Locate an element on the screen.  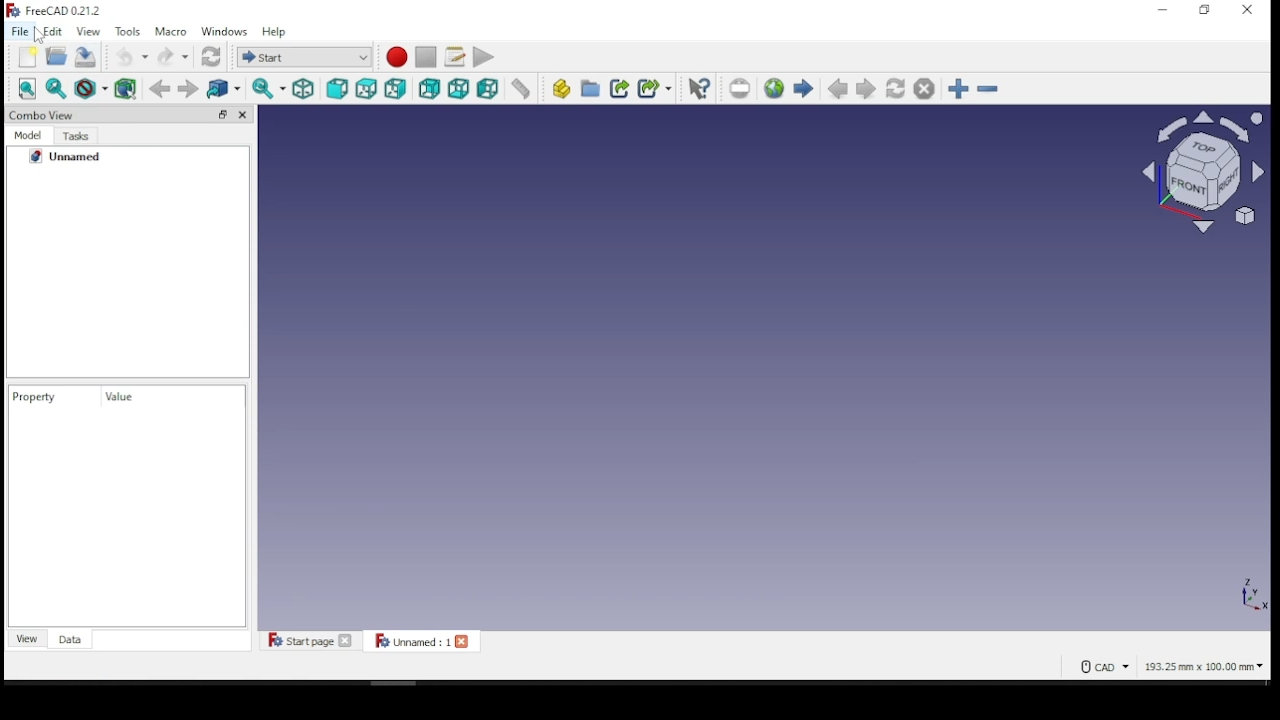
cursor is located at coordinates (40, 40).